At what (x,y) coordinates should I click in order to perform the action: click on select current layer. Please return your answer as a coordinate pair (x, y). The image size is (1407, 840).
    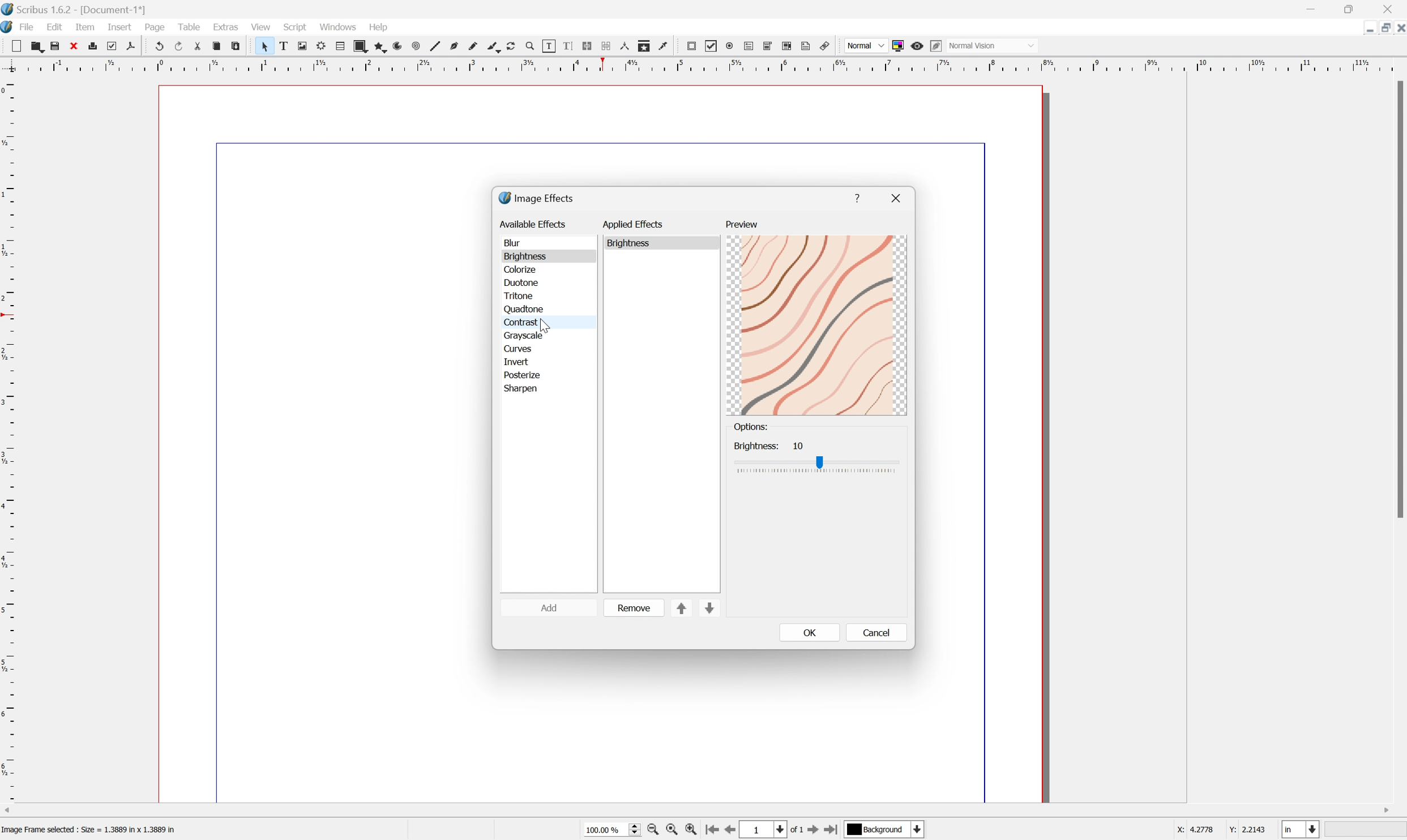
    Looking at the image, I should click on (887, 830).